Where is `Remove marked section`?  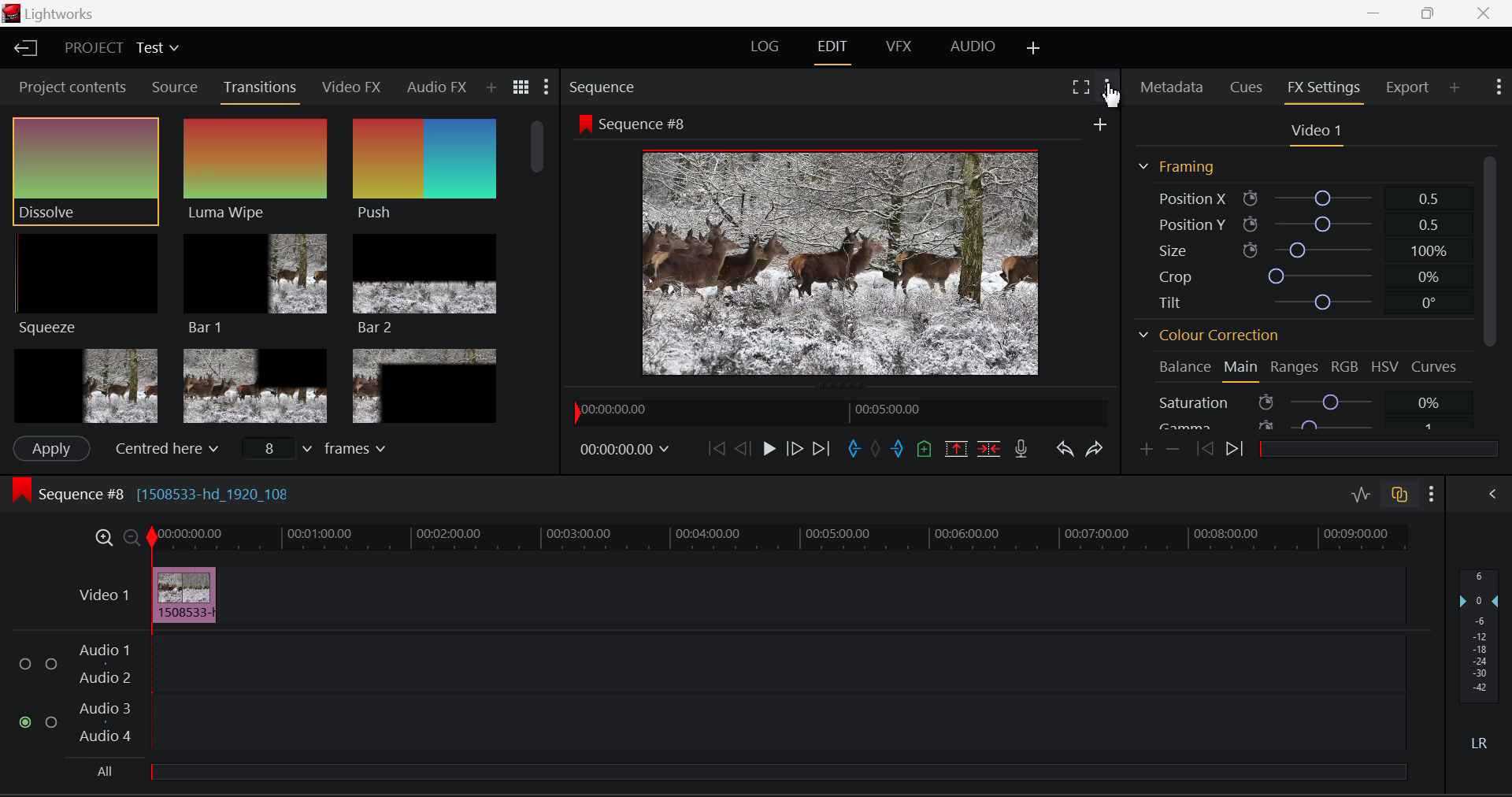 Remove marked section is located at coordinates (958, 448).